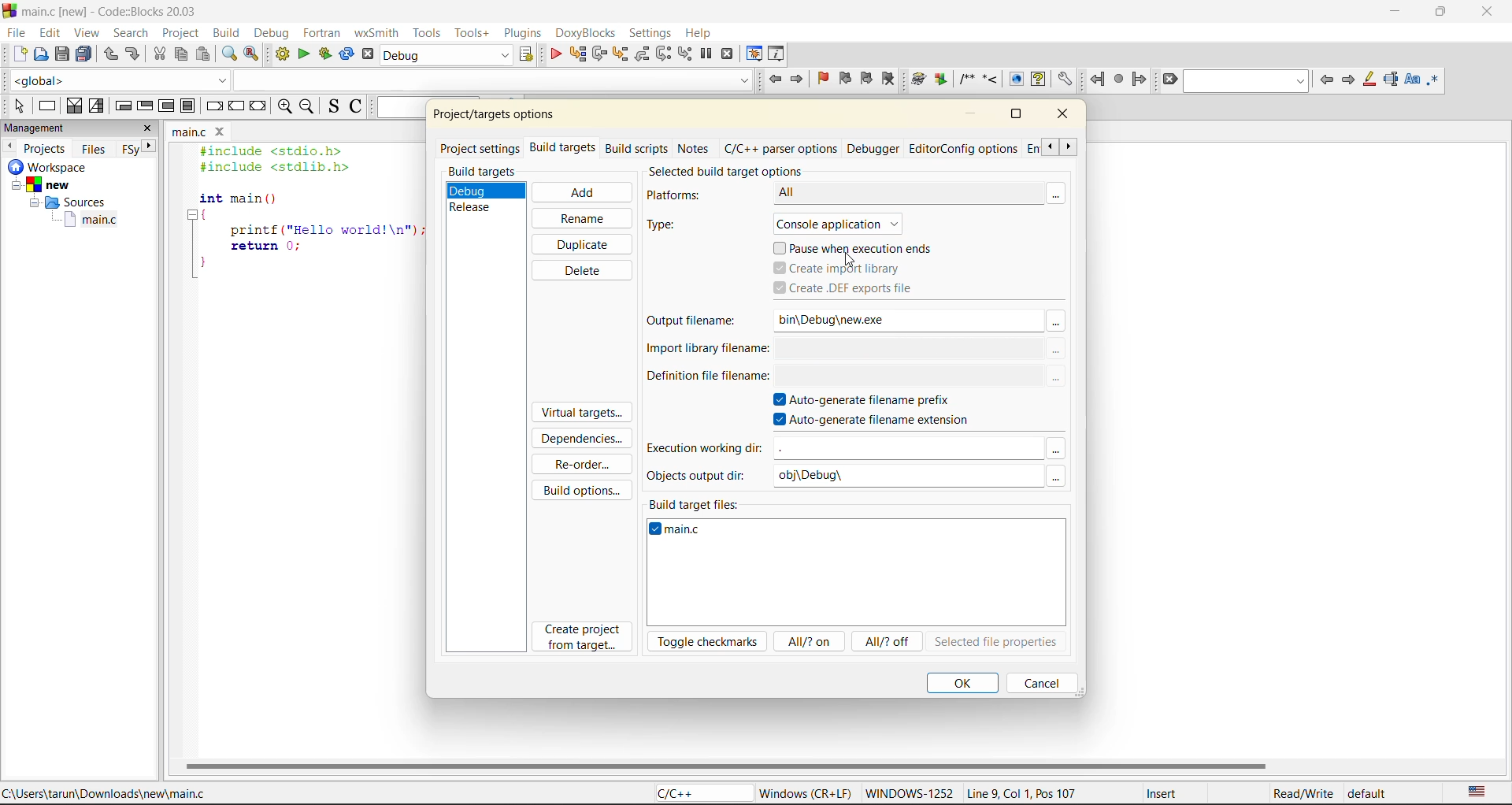 The image size is (1512, 805). Describe the element at coordinates (74, 106) in the screenshot. I see `decision` at that location.